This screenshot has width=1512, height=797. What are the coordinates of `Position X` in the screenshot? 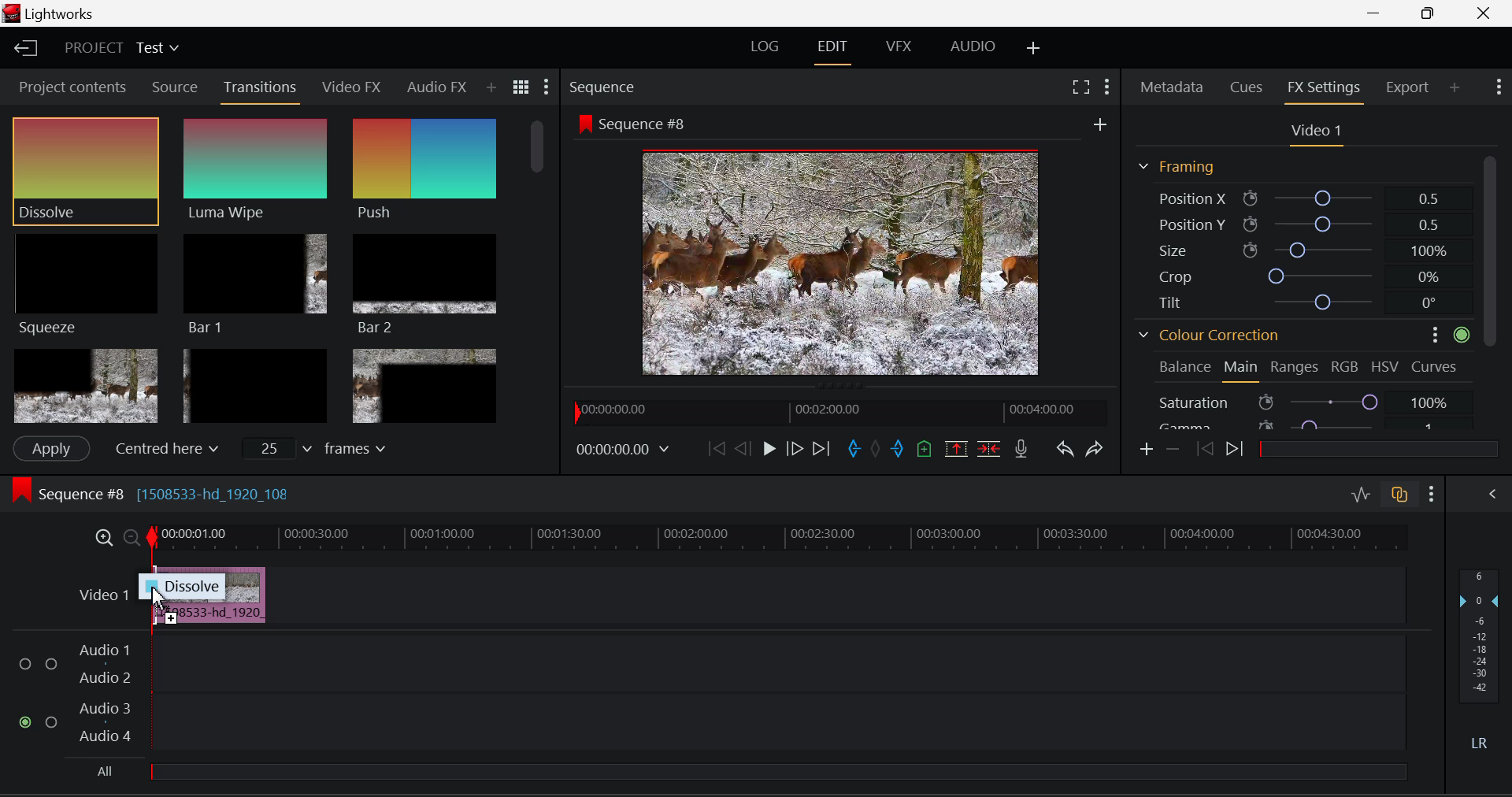 It's located at (1299, 198).